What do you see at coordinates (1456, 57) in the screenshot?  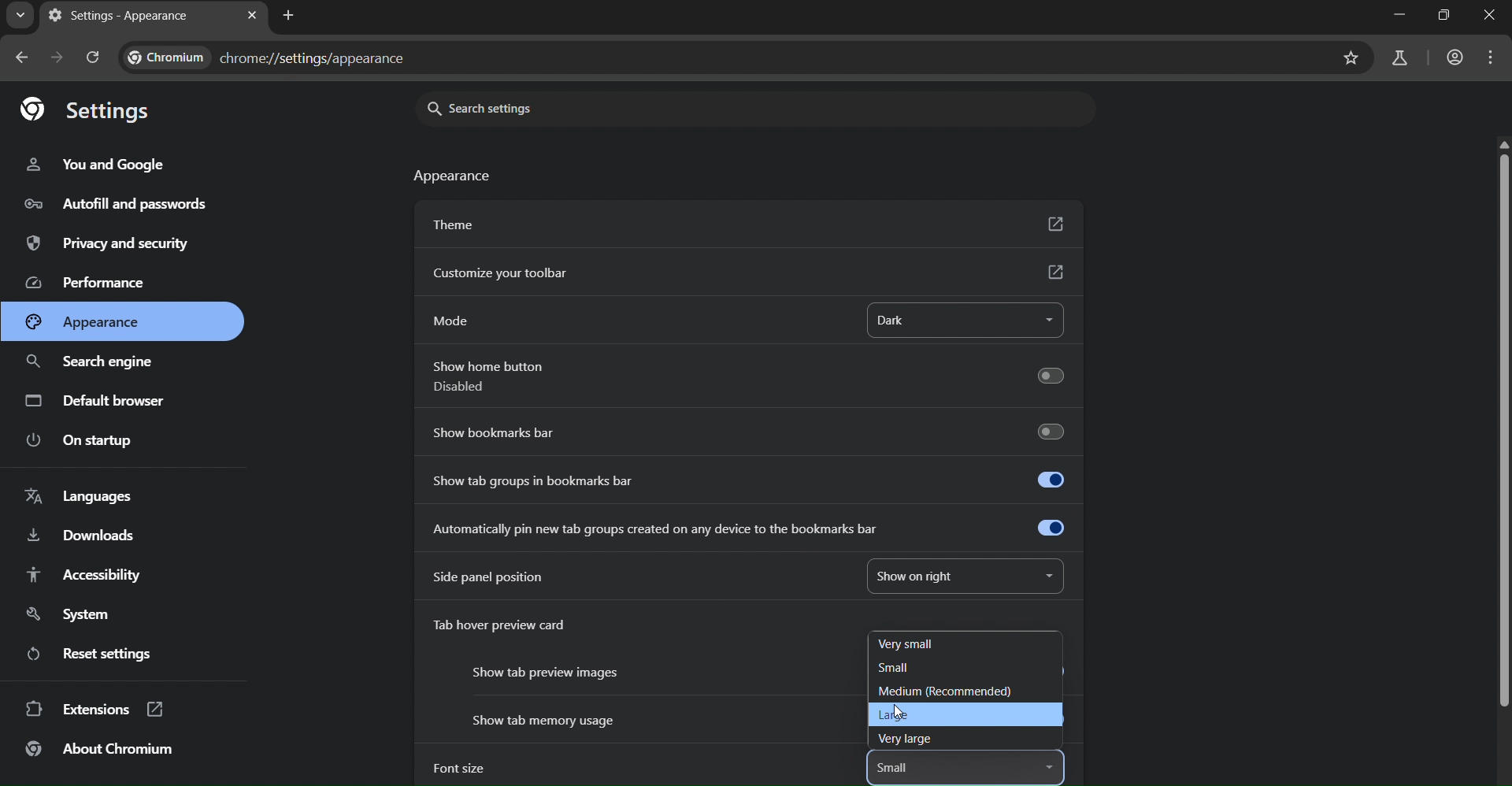 I see `account` at bounding box center [1456, 57].